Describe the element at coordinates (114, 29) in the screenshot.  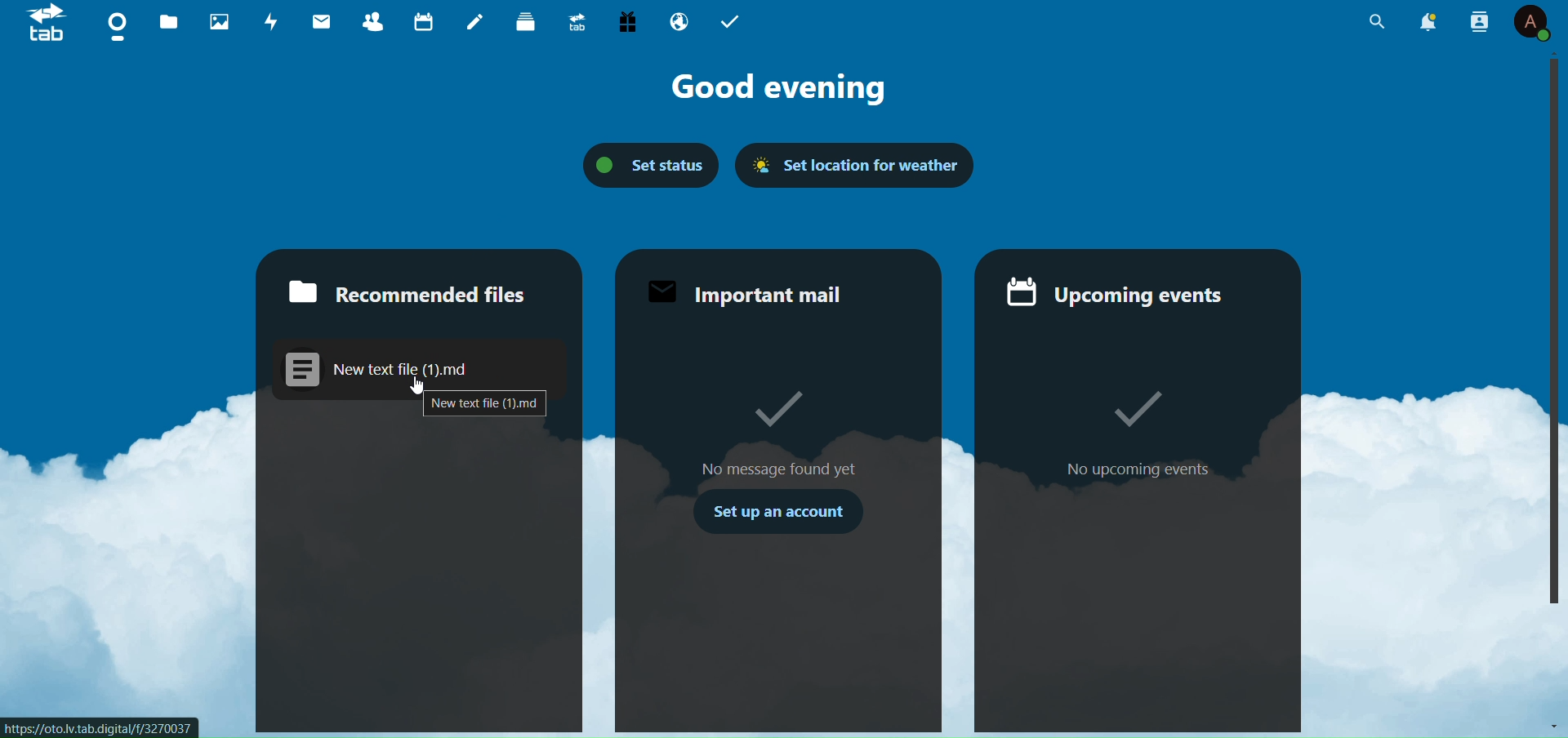
I see `dashboard` at that location.